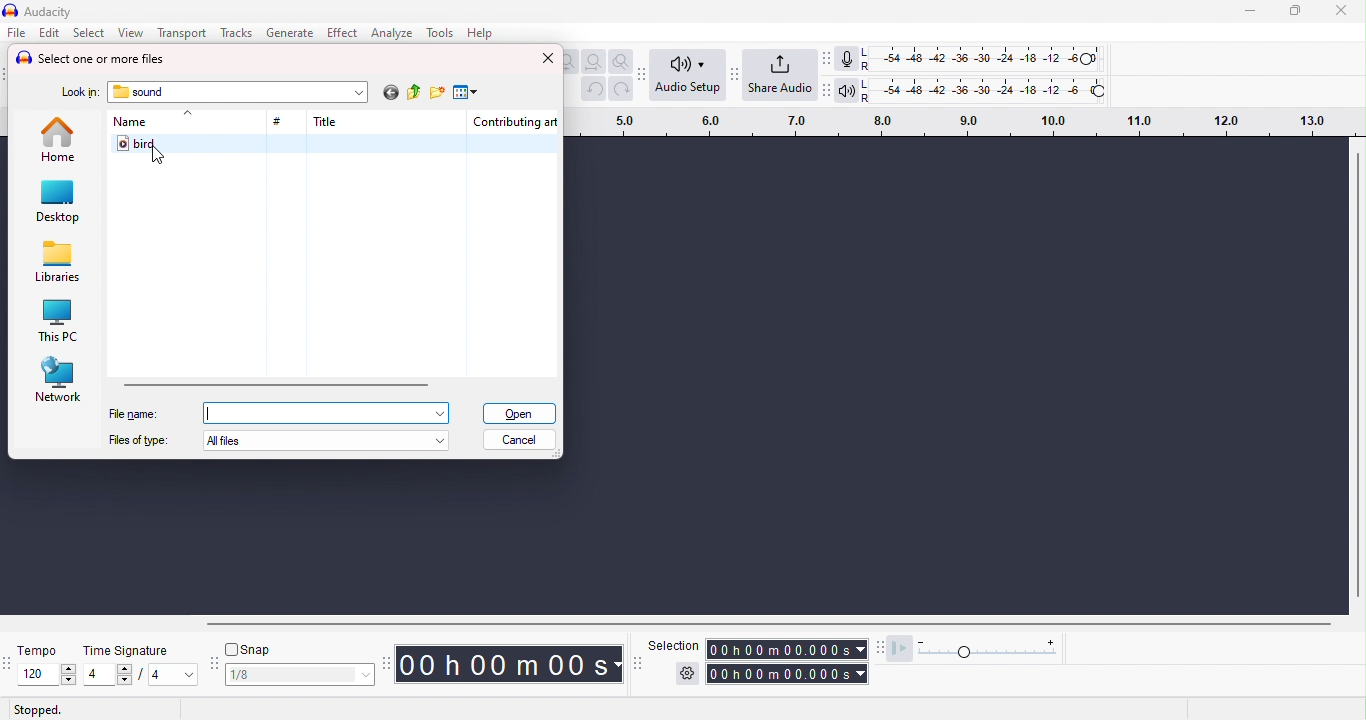 This screenshot has width=1366, height=720. I want to click on tempo, so click(38, 649).